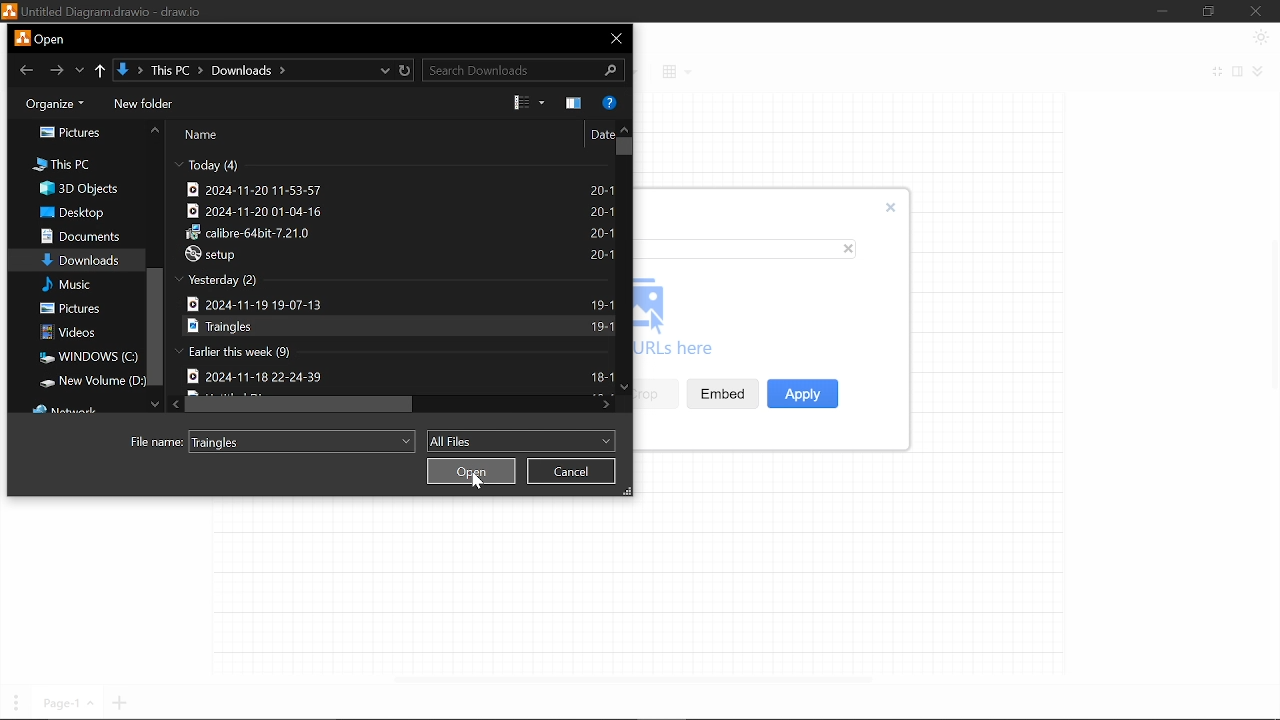 The height and width of the screenshot is (720, 1280). I want to click on Pictures, so click(66, 134).